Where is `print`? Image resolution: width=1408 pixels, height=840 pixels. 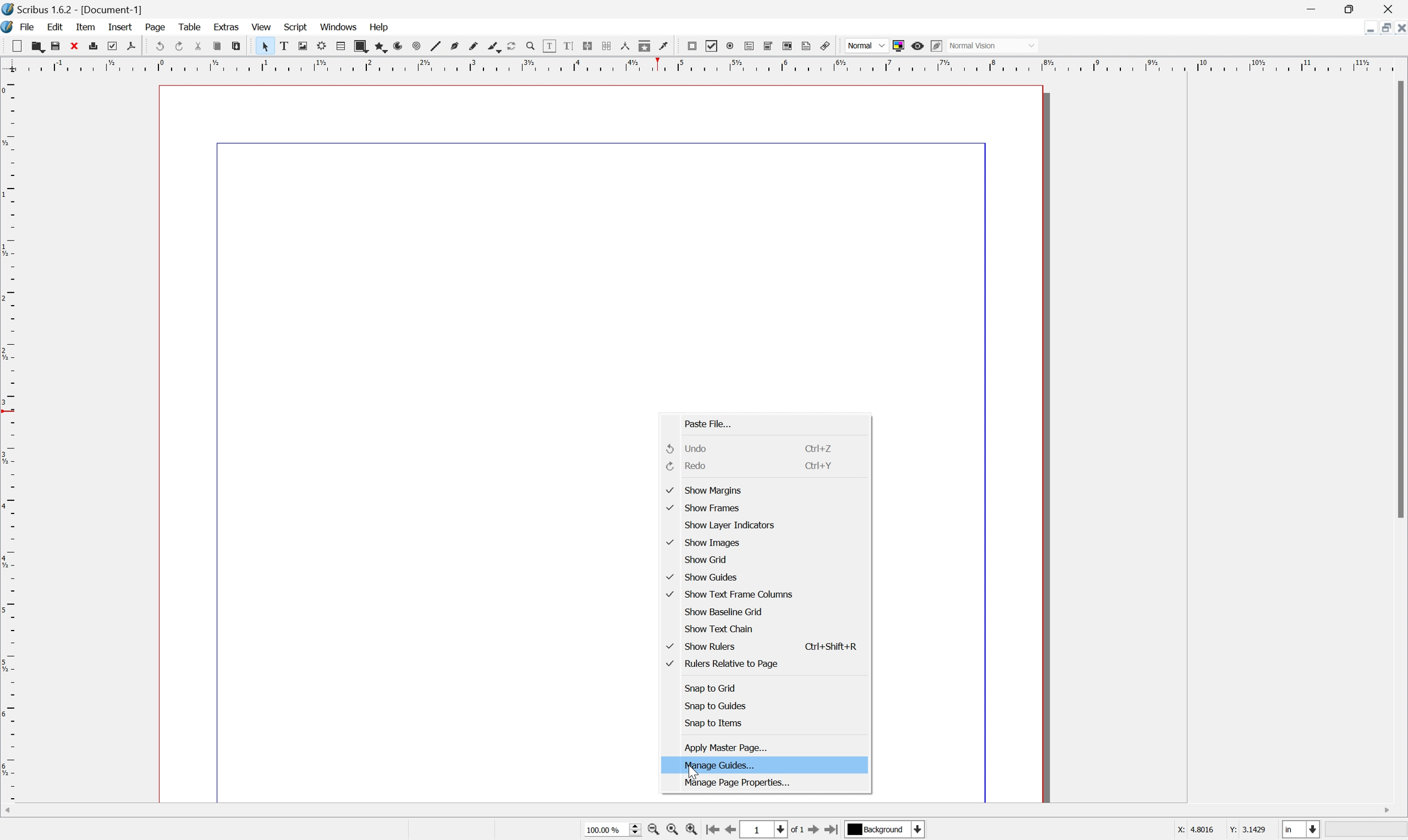 print is located at coordinates (99, 48).